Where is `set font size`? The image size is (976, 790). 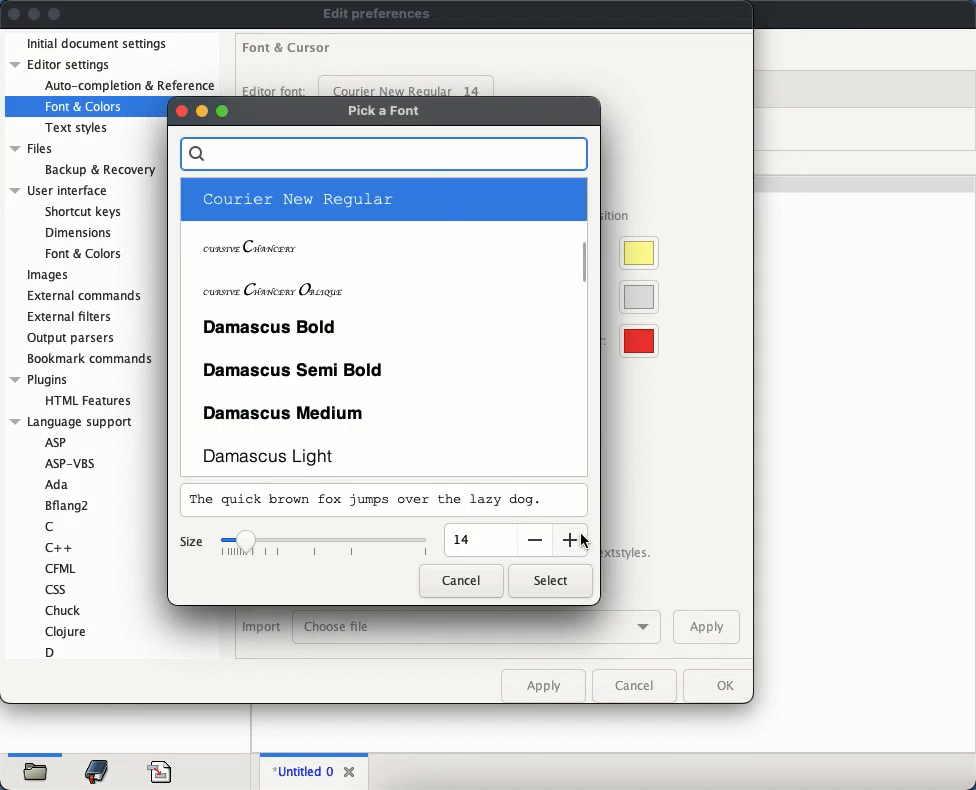
set font size is located at coordinates (326, 545).